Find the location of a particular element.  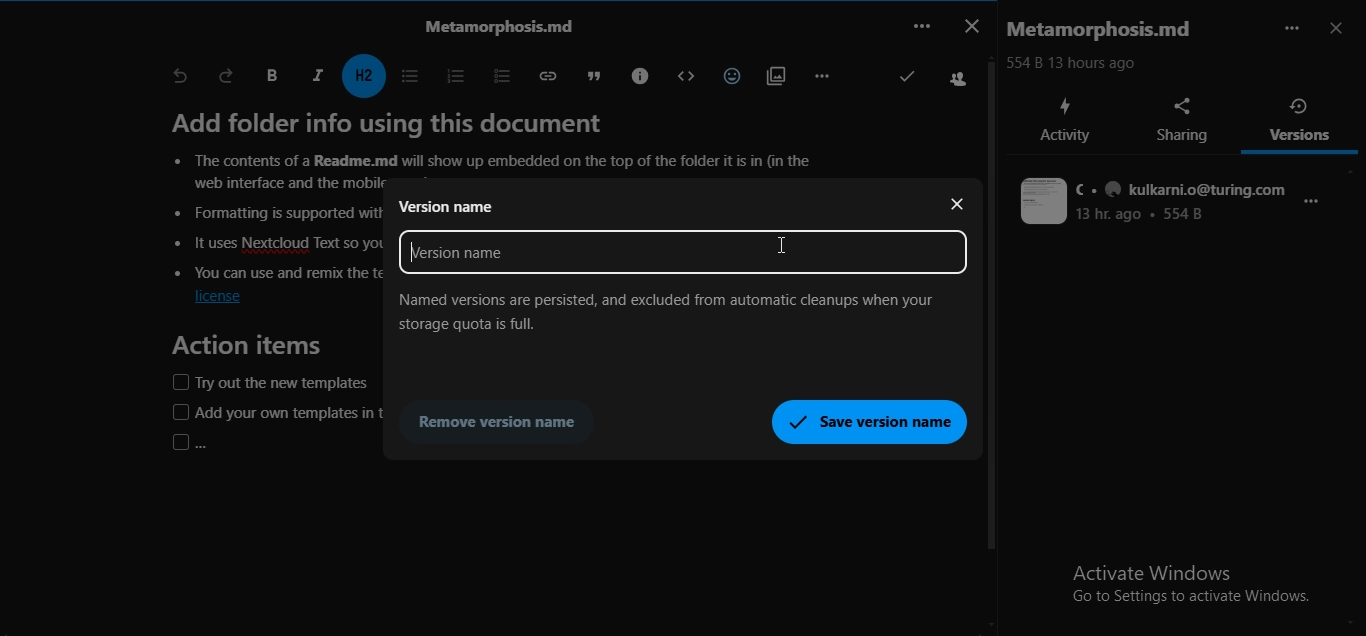

more options is located at coordinates (1316, 208).